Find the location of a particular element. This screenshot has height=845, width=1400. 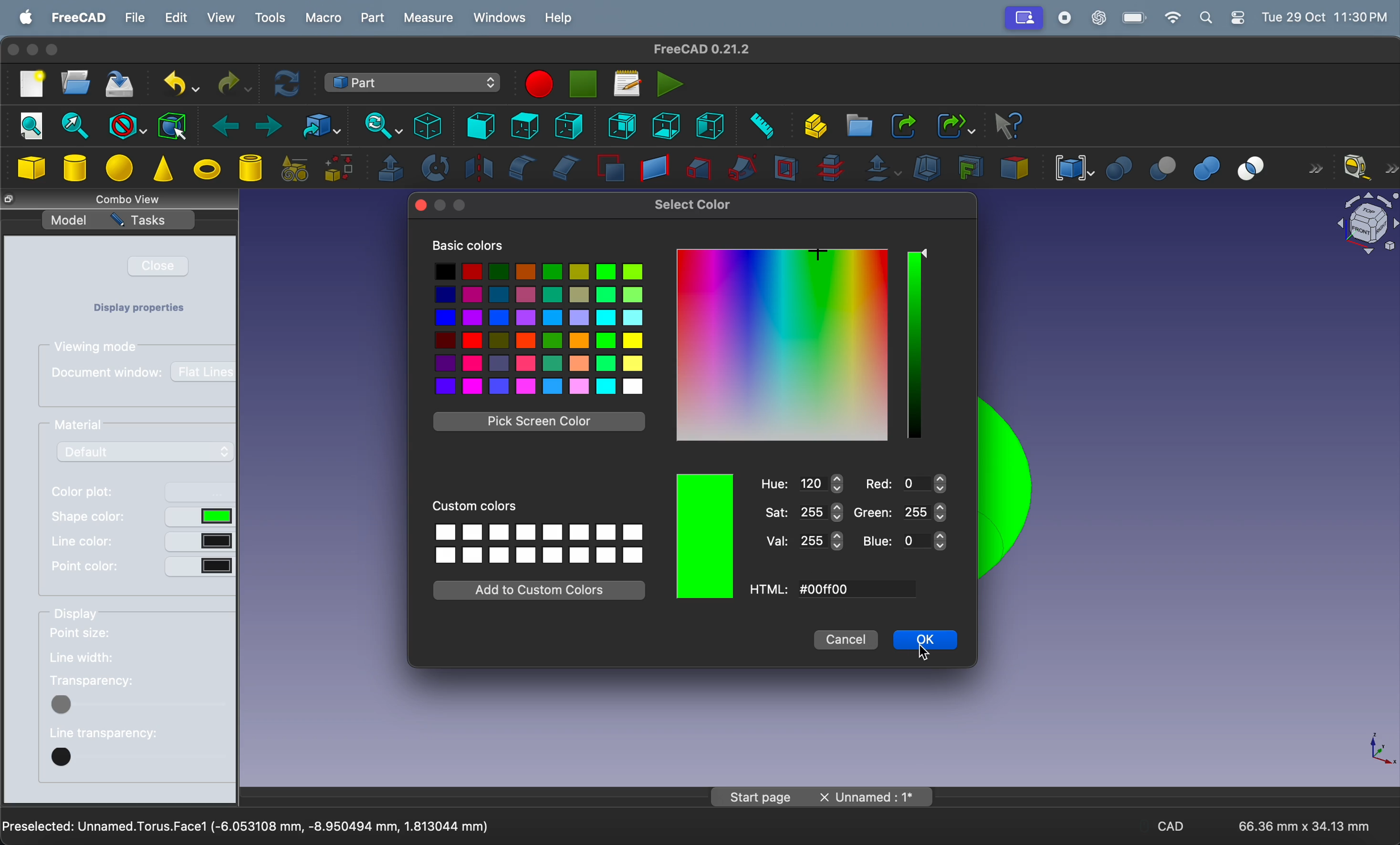

66.36 mm * 34.13 mm is located at coordinates (1305, 826).